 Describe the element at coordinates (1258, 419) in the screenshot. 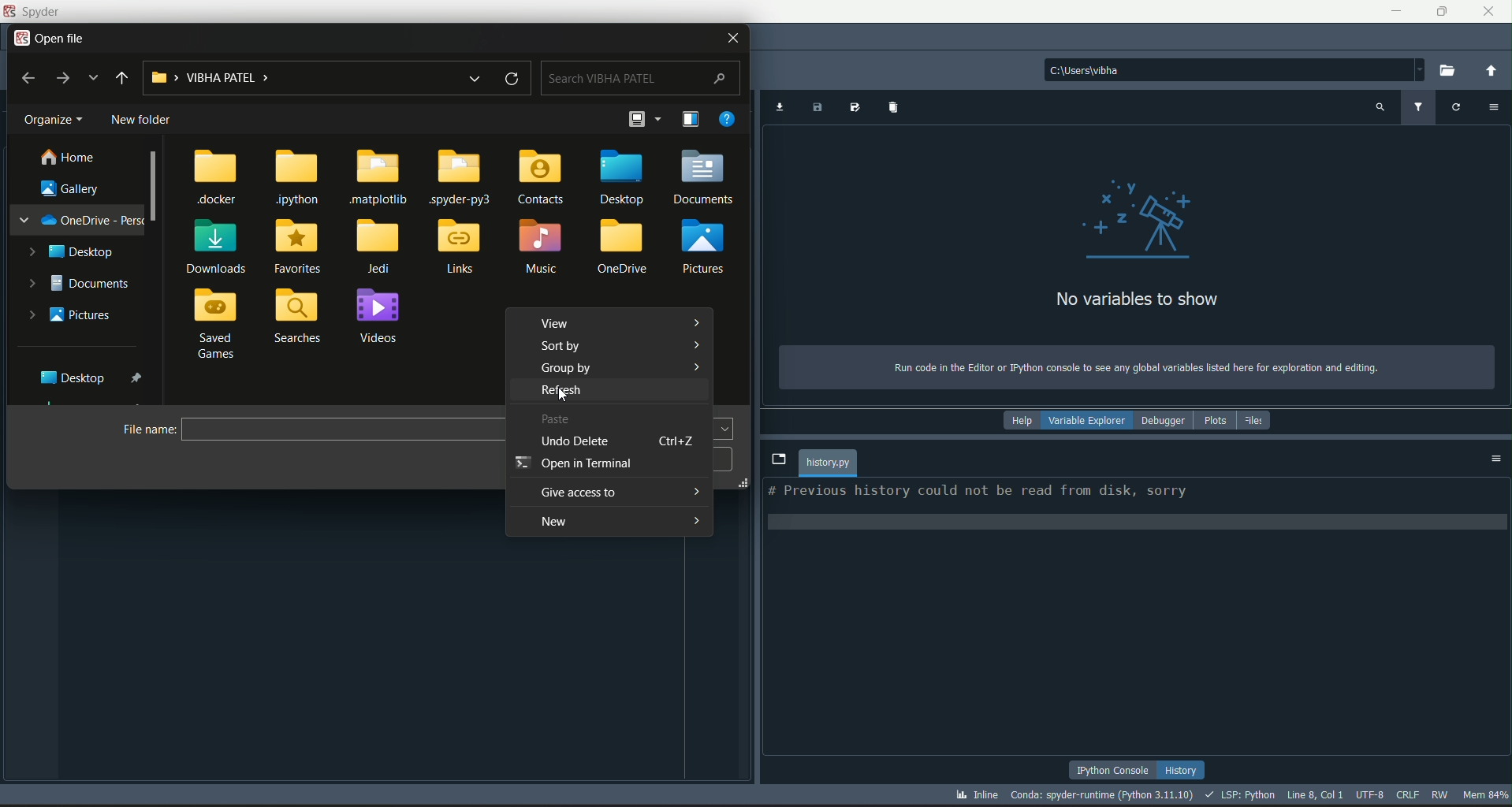

I see `files` at that location.